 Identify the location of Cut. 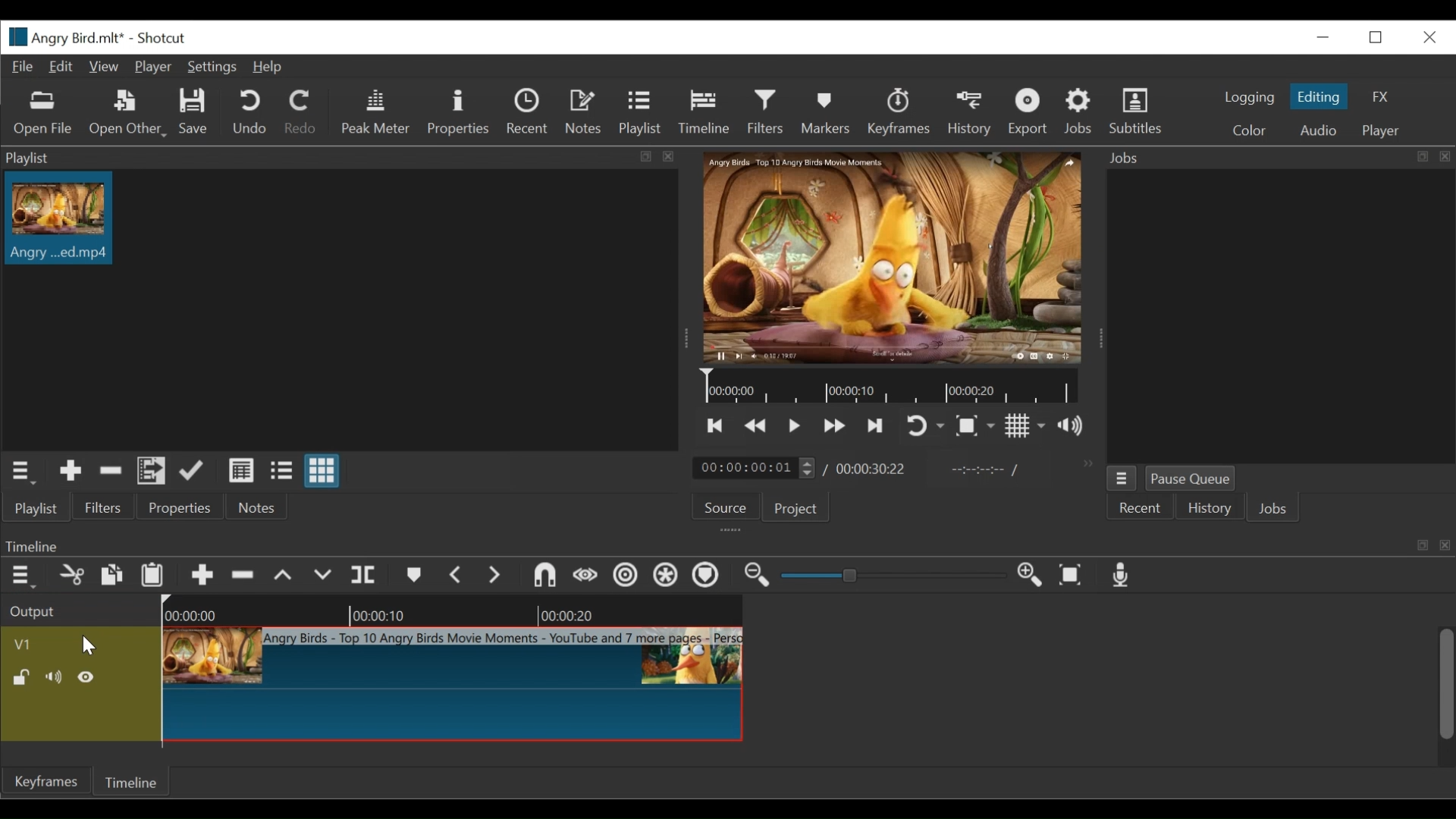
(111, 473).